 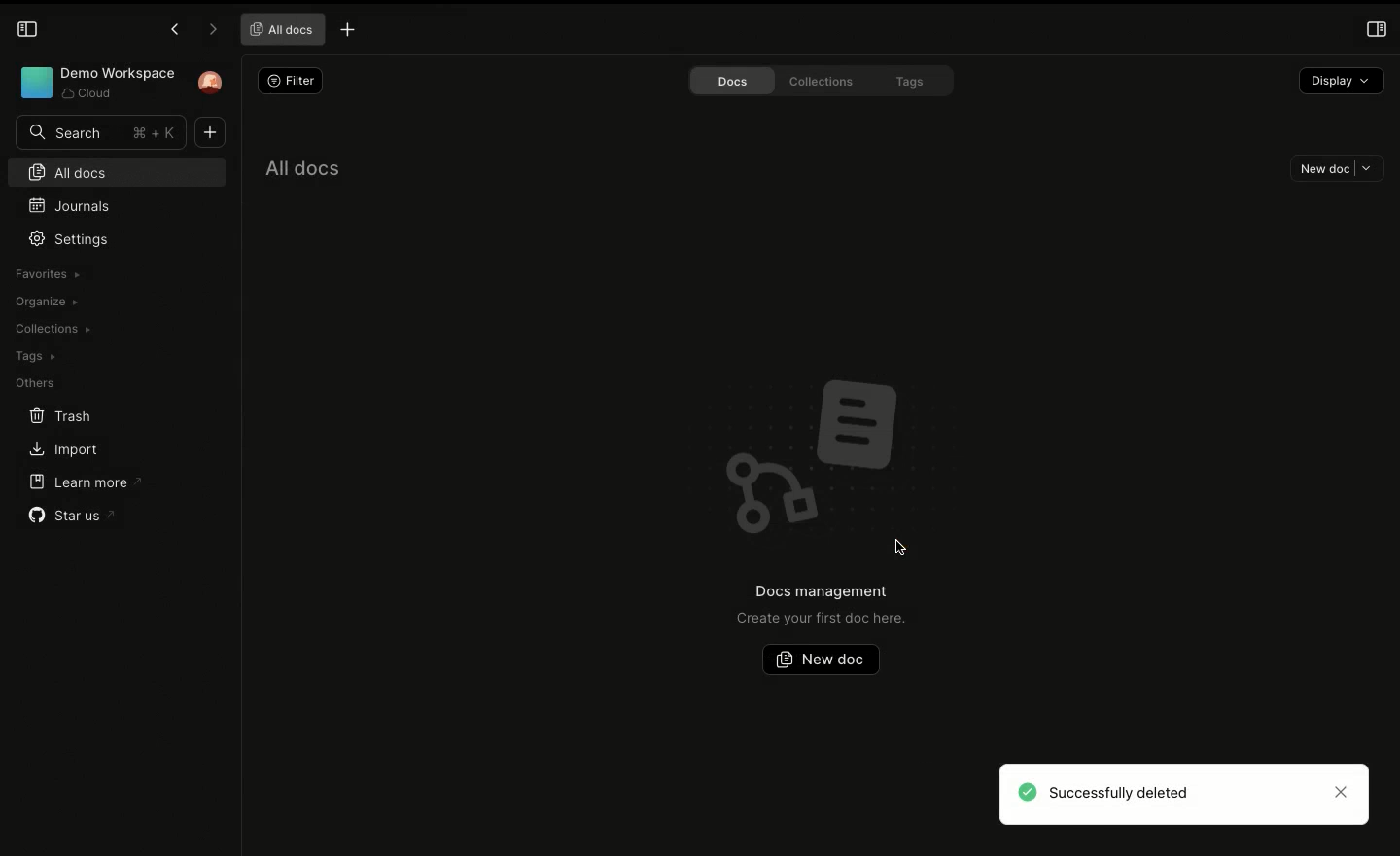 What do you see at coordinates (820, 659) in the screenshot?
I see `New doc` at bounding box center [820, 659].